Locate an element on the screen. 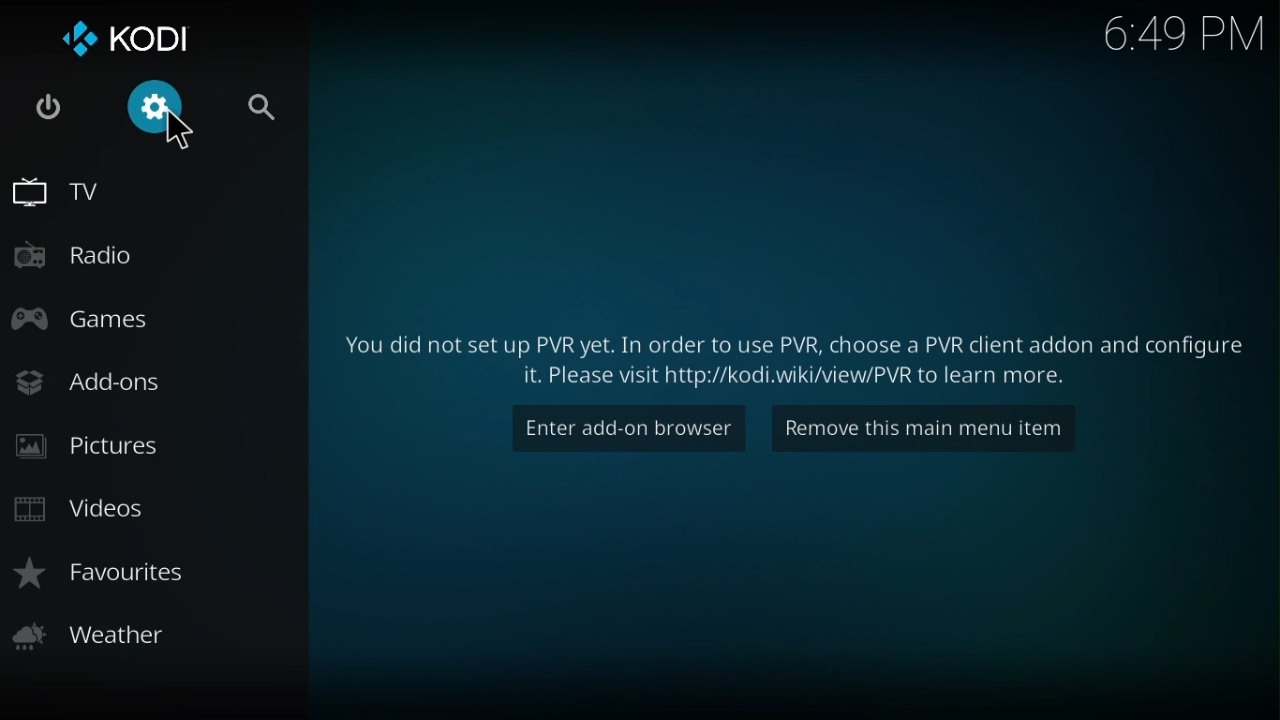 The image size is (1280, 720). Exit is located at coordinates (48, 113).